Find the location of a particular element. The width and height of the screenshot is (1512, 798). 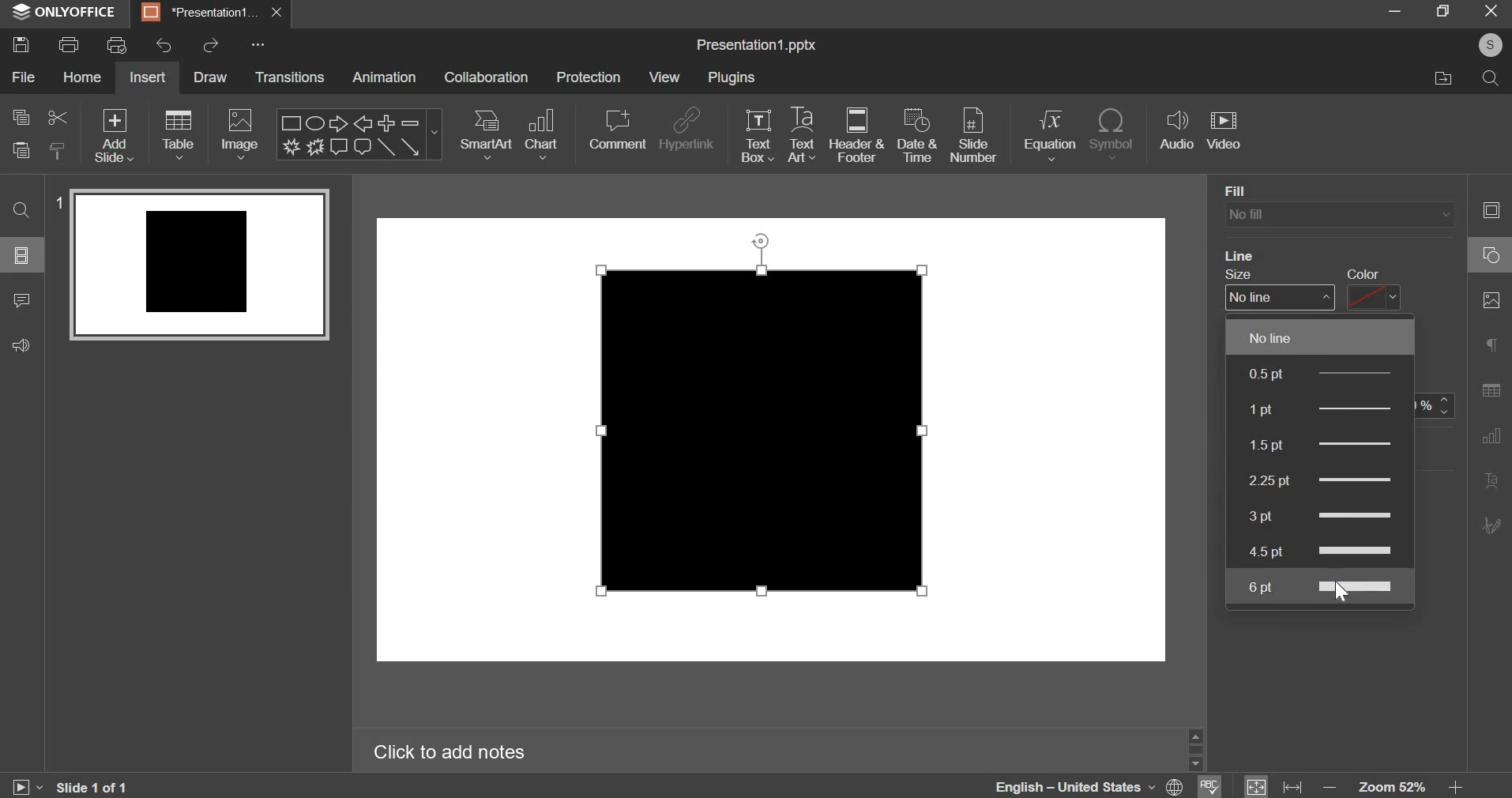

presentation.pptx is located at coordinates (756, 46).